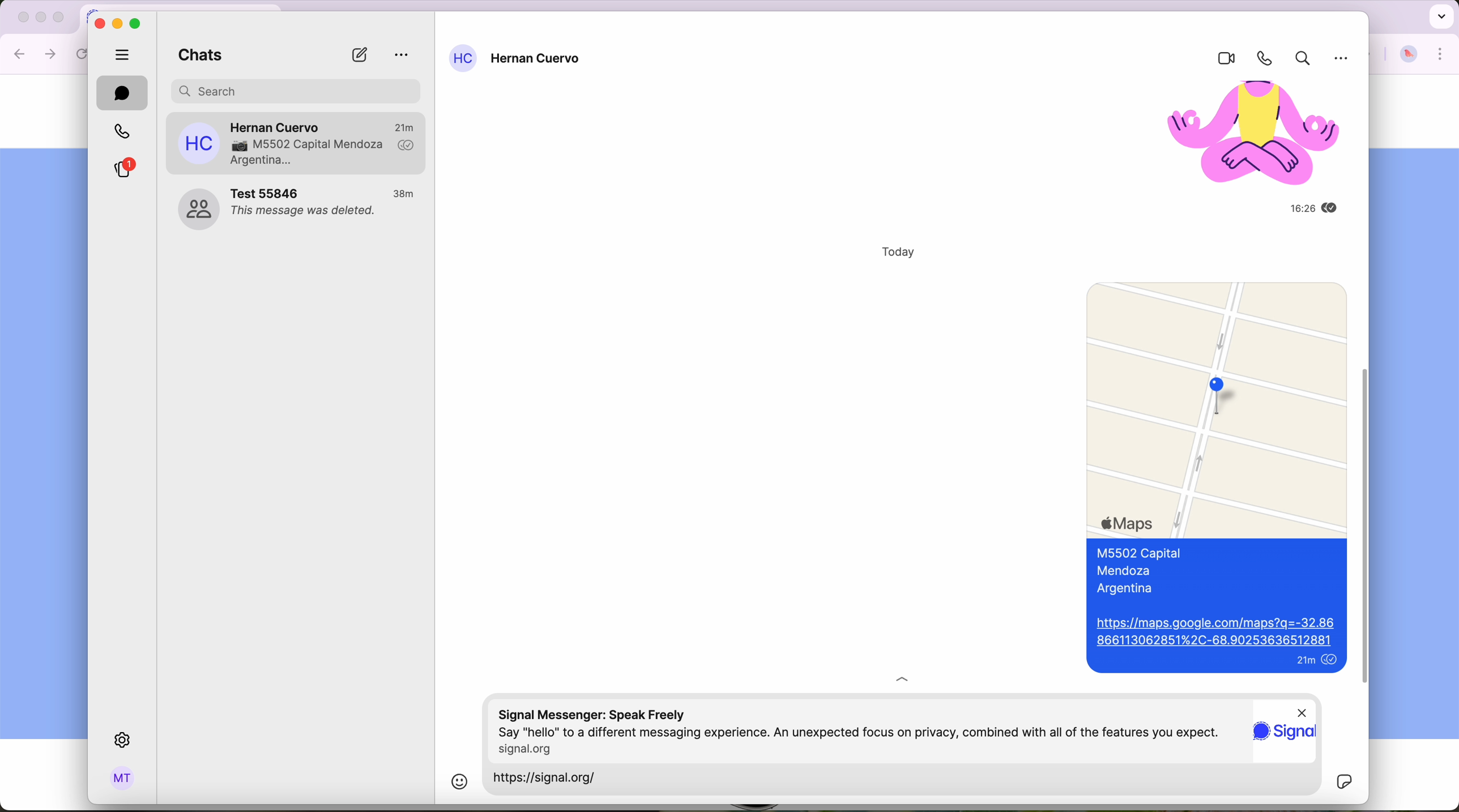  I want to click on 00
ca, so click(198, 210).